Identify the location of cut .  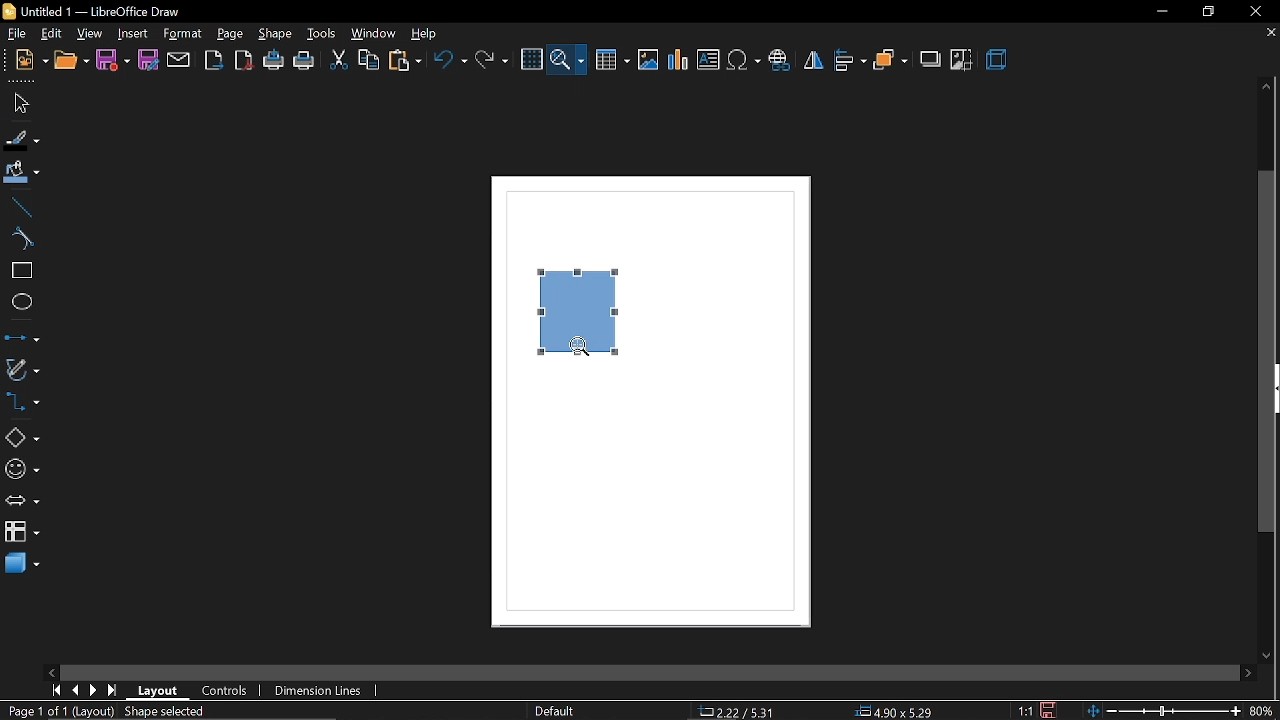
(338, 60).